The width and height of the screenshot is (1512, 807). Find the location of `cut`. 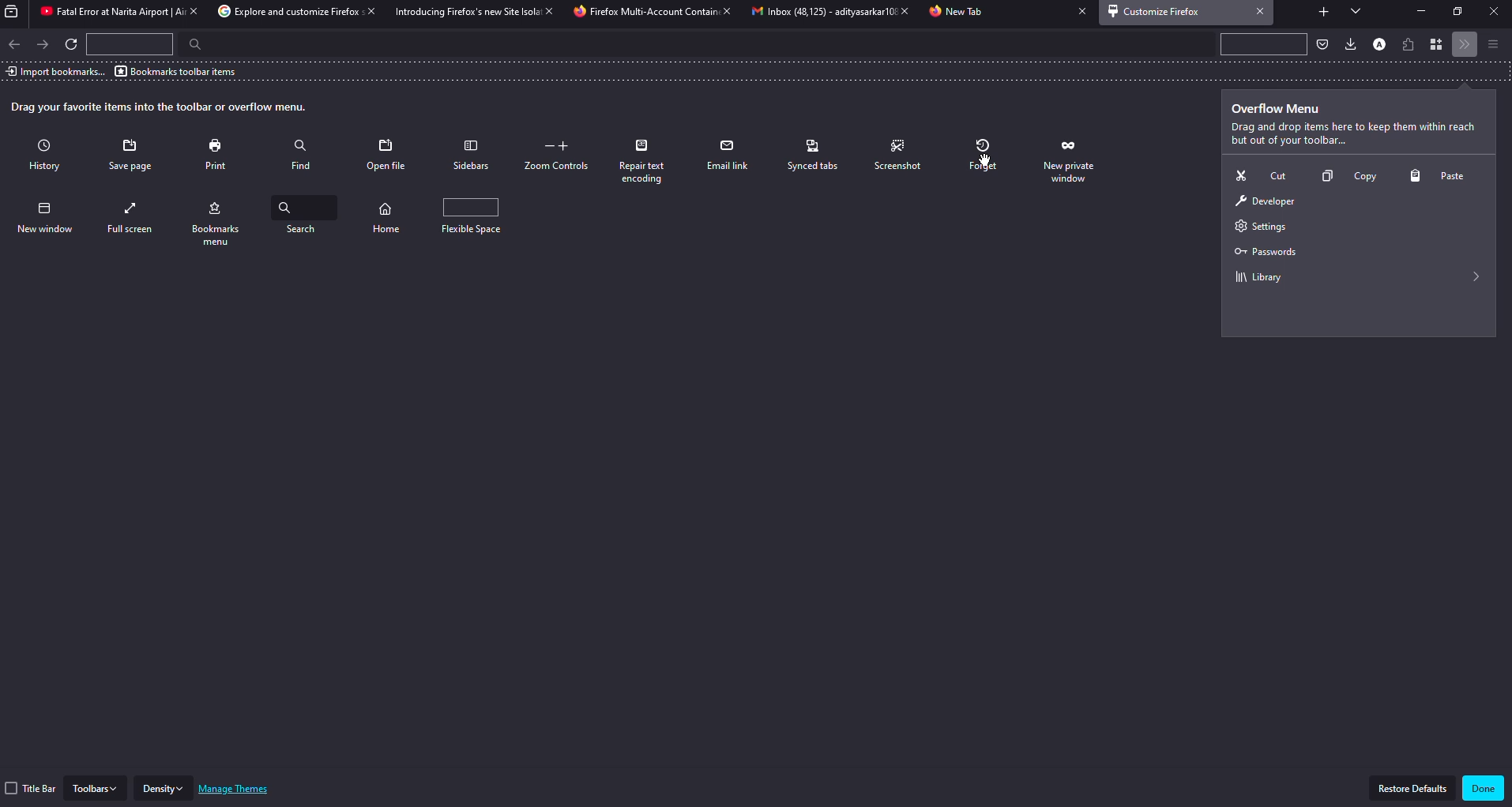

cut is located at coordinates (1258, 175).